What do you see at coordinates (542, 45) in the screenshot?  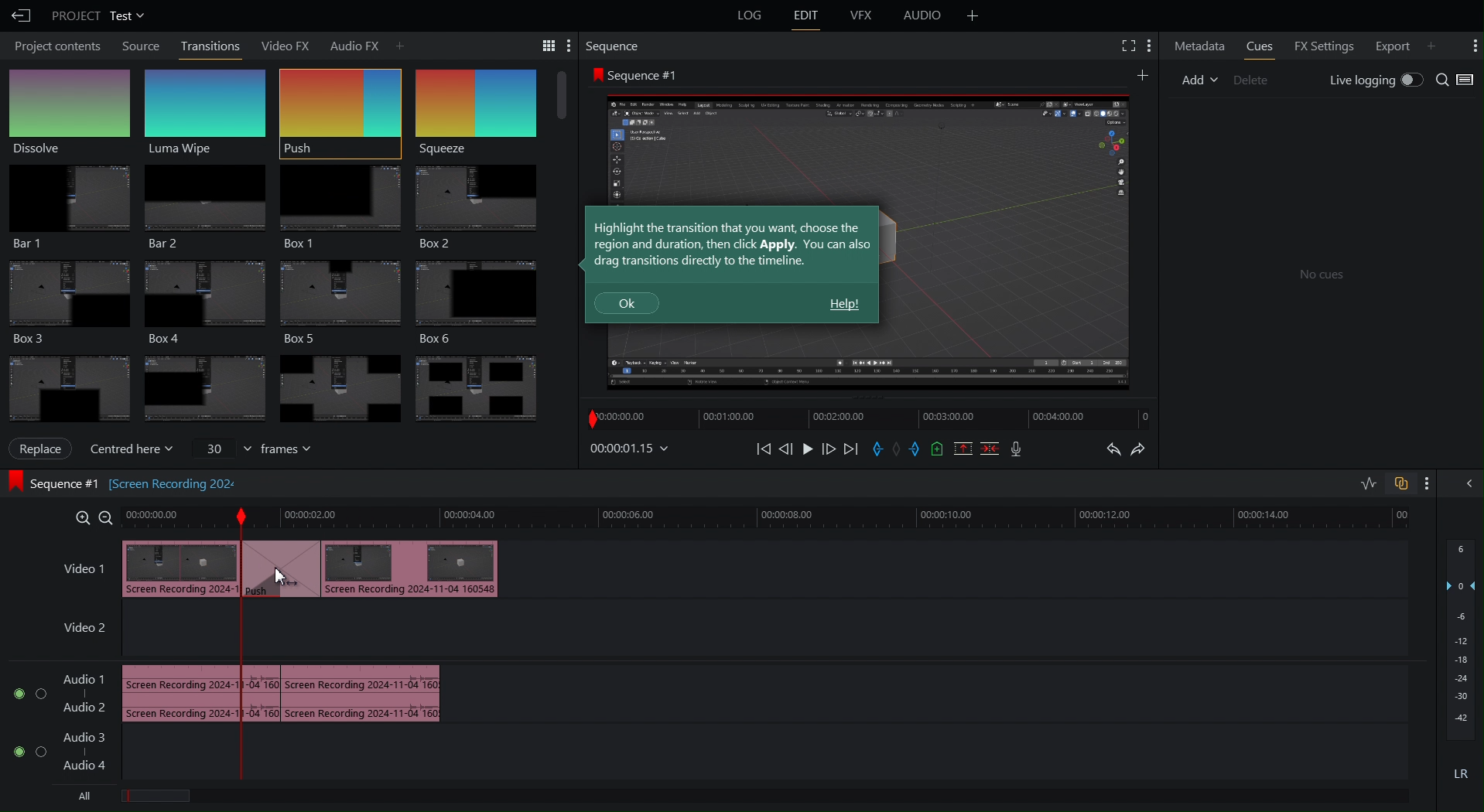 I see `Search Tools` at bounding box center [542, 45].